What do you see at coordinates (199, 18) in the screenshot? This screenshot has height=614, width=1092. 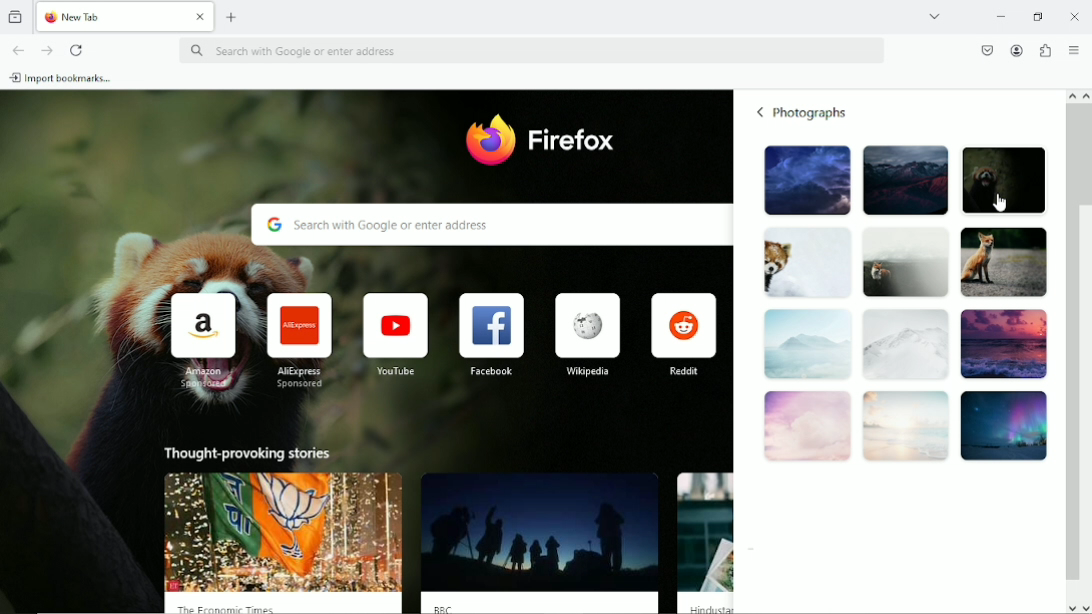 I see `close` at bounding box center [199, 18].